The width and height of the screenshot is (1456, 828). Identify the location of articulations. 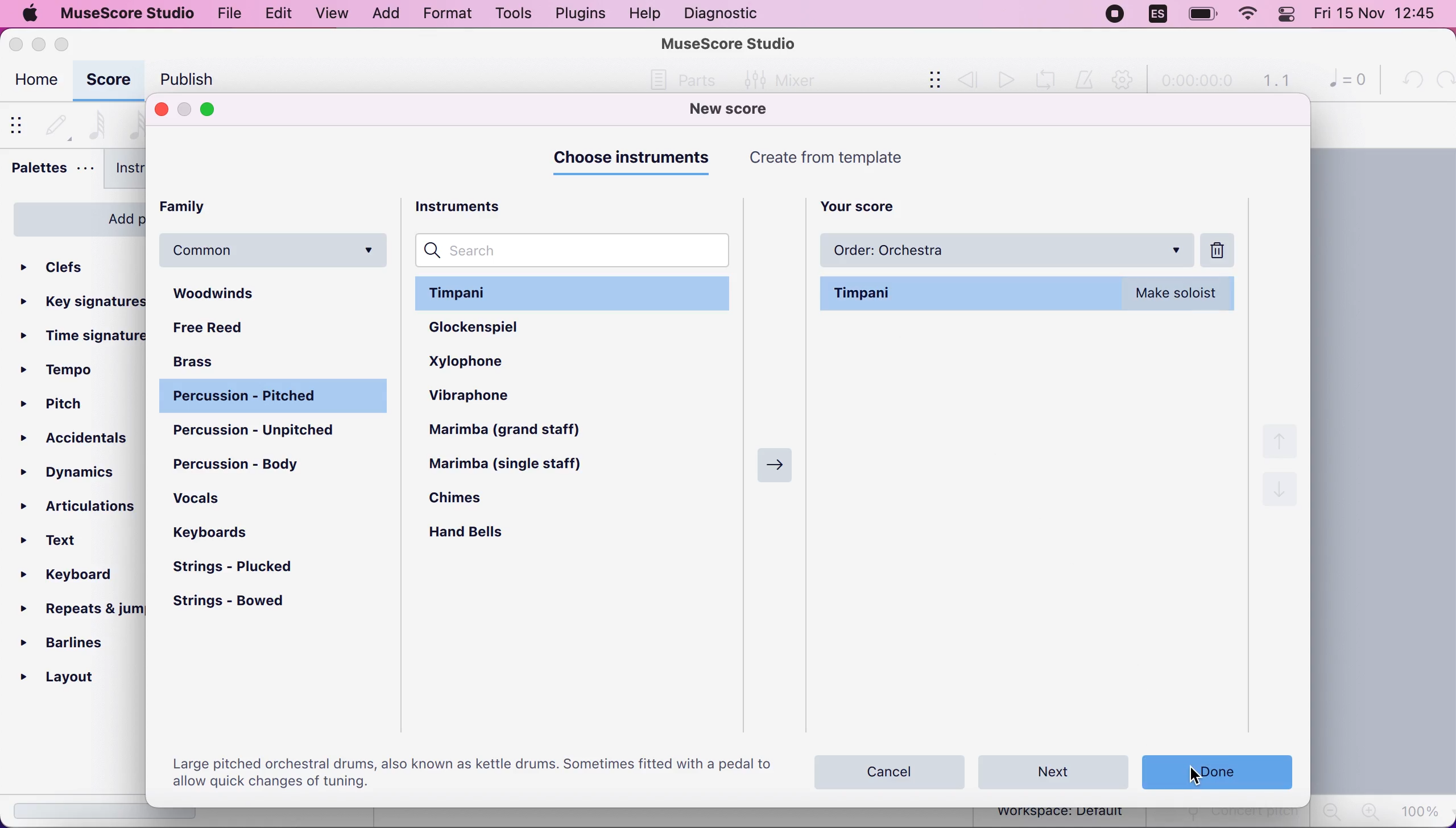
(80, 503).